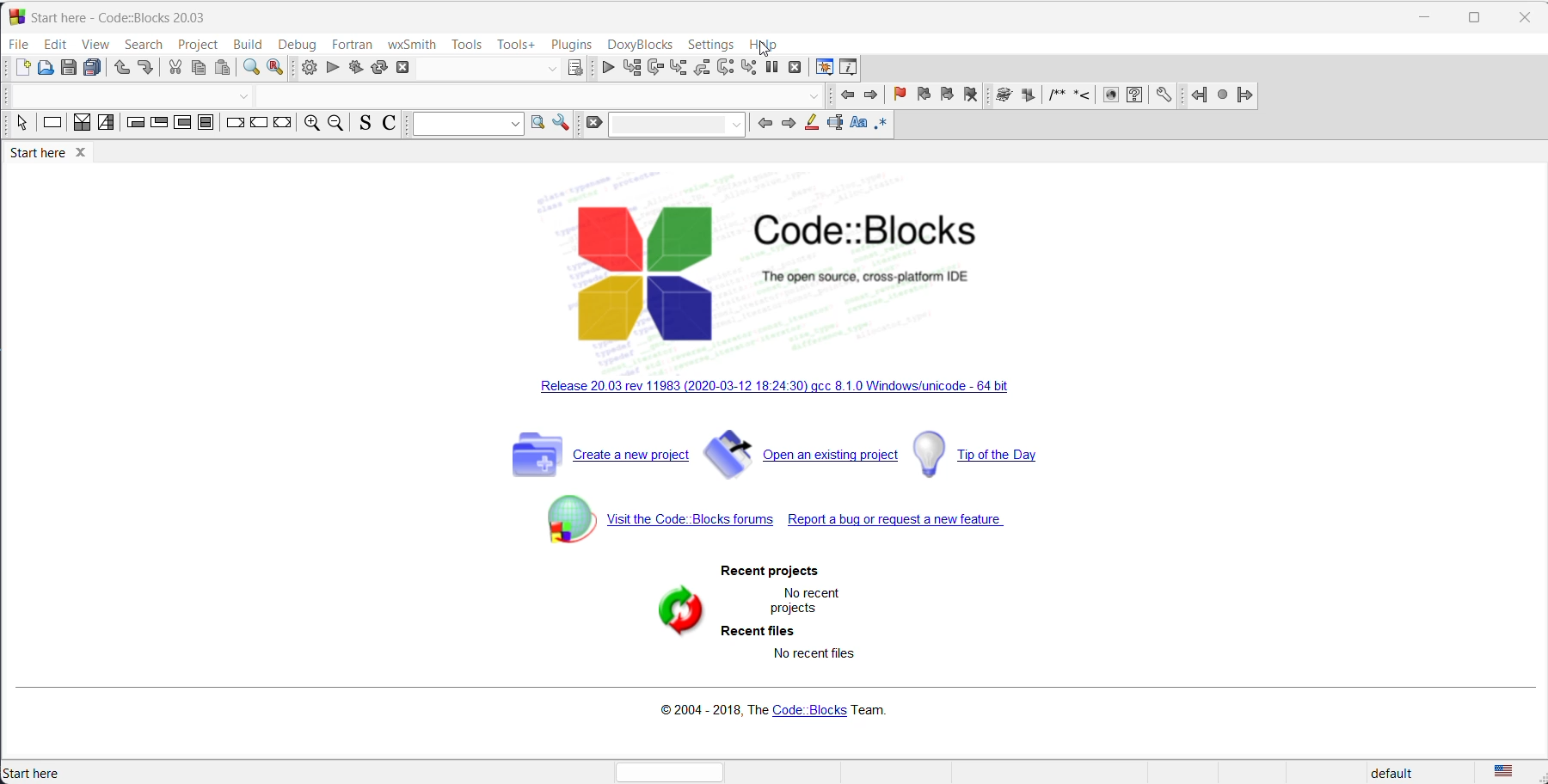 The height and width of the screenshot is (784, 1548). What do you see at coordinates (226, 68) in the screenshot?
I see `paste` at bounding box center [226, 68].